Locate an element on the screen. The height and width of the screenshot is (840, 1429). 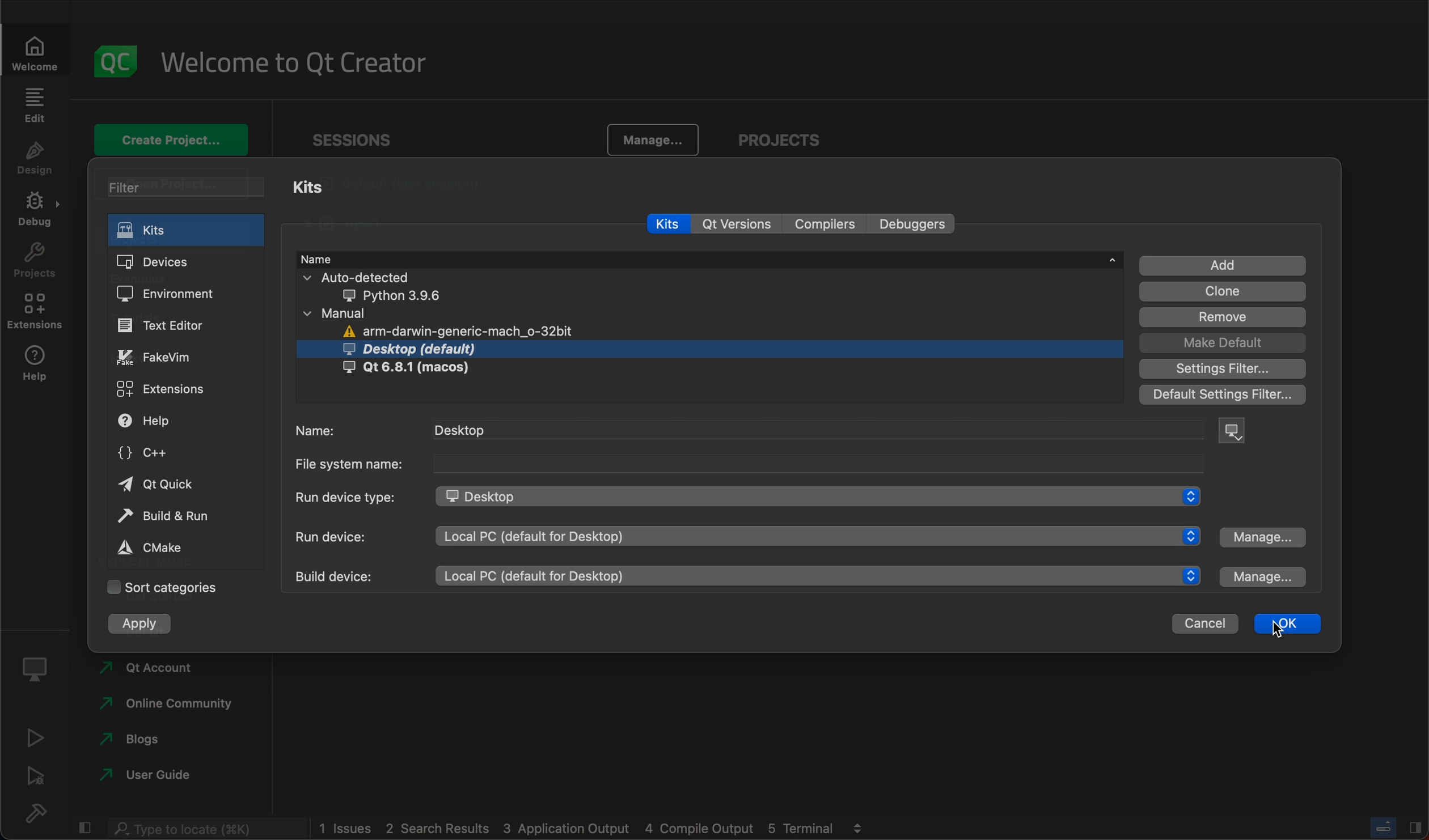
debug is located at coordinates (37, 212).